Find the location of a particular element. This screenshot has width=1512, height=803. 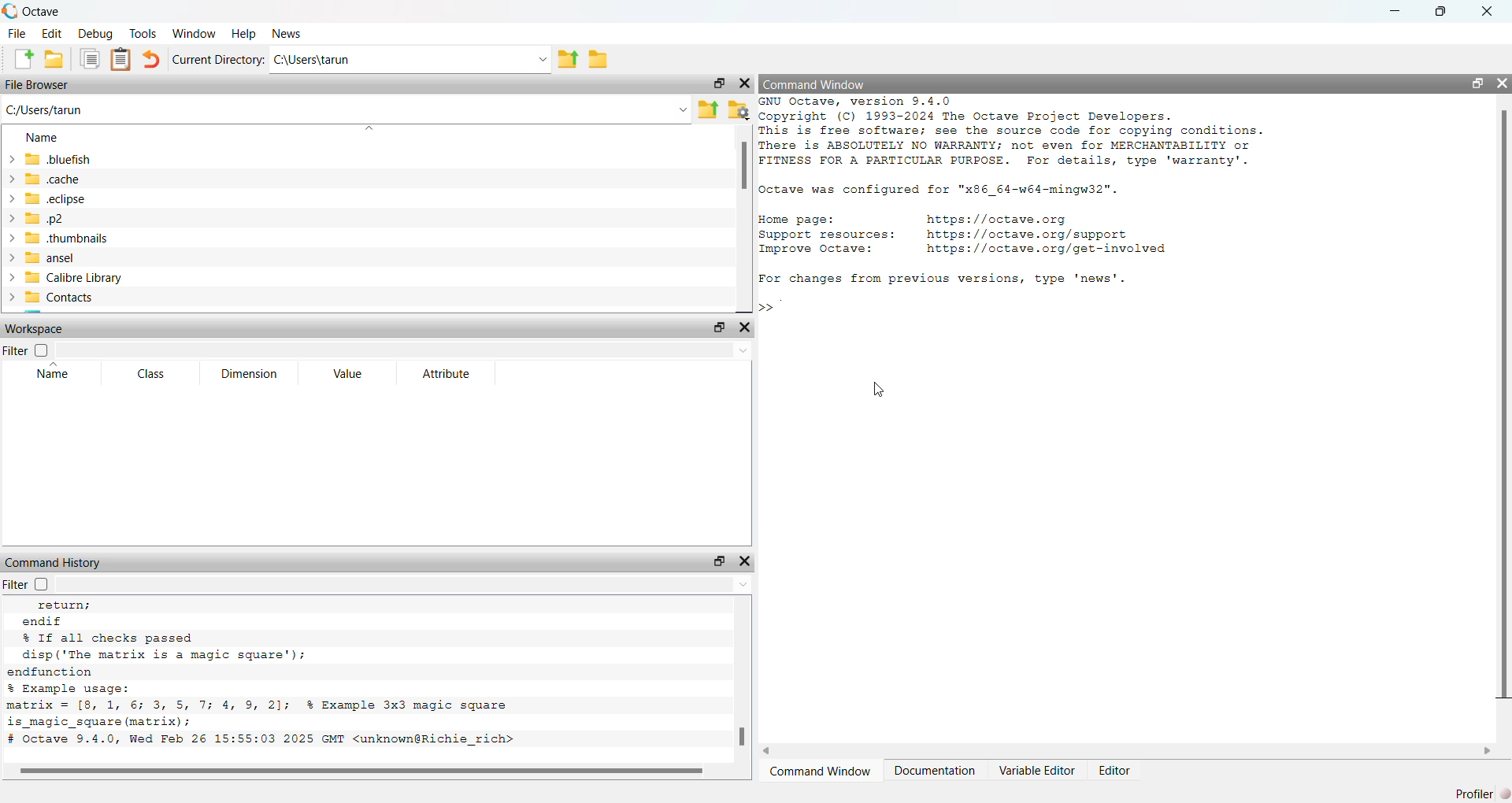

dropdown is located at coordinates (372, 127).